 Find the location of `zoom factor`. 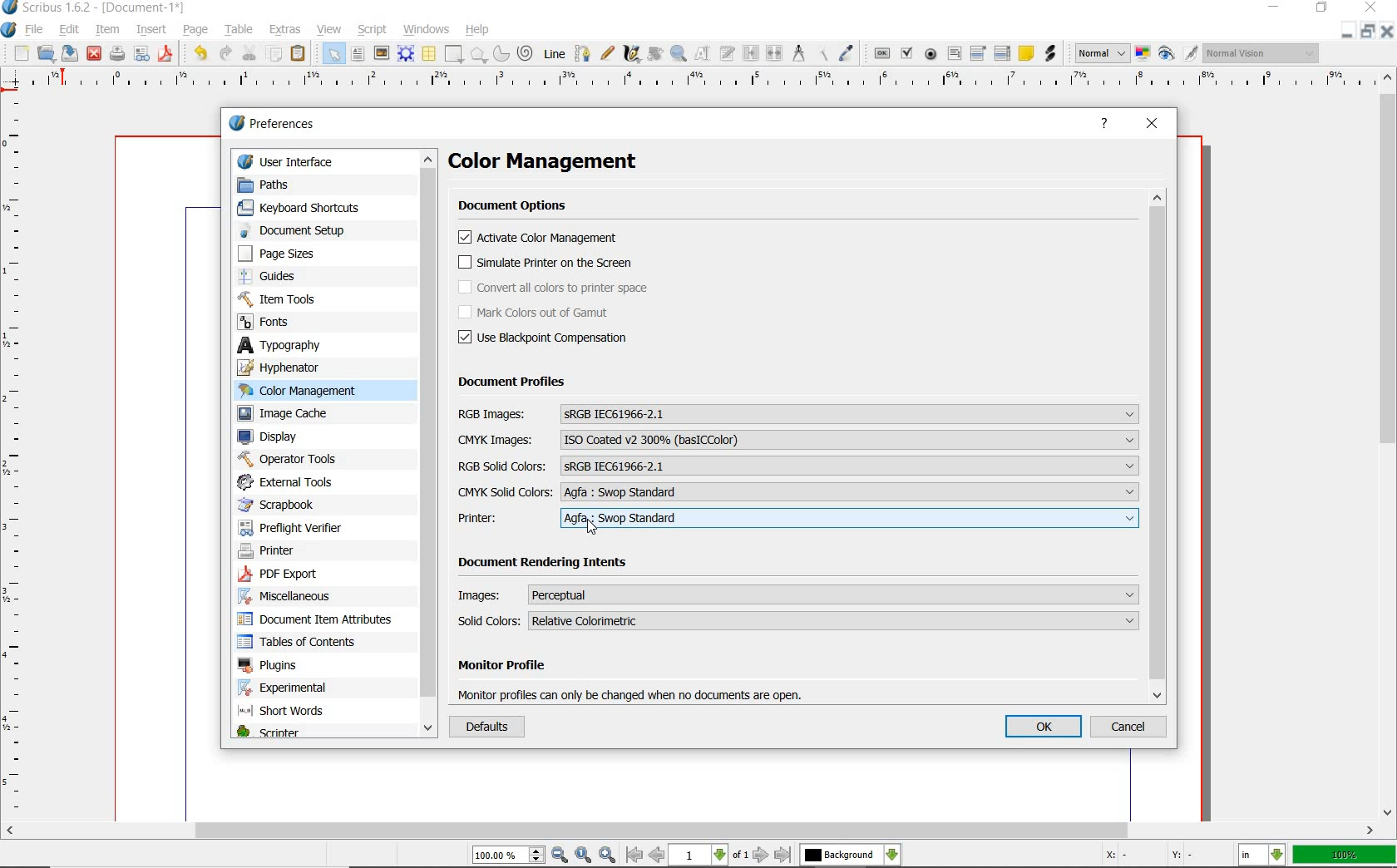

zoom factor is located at coordinates (1345, 855).